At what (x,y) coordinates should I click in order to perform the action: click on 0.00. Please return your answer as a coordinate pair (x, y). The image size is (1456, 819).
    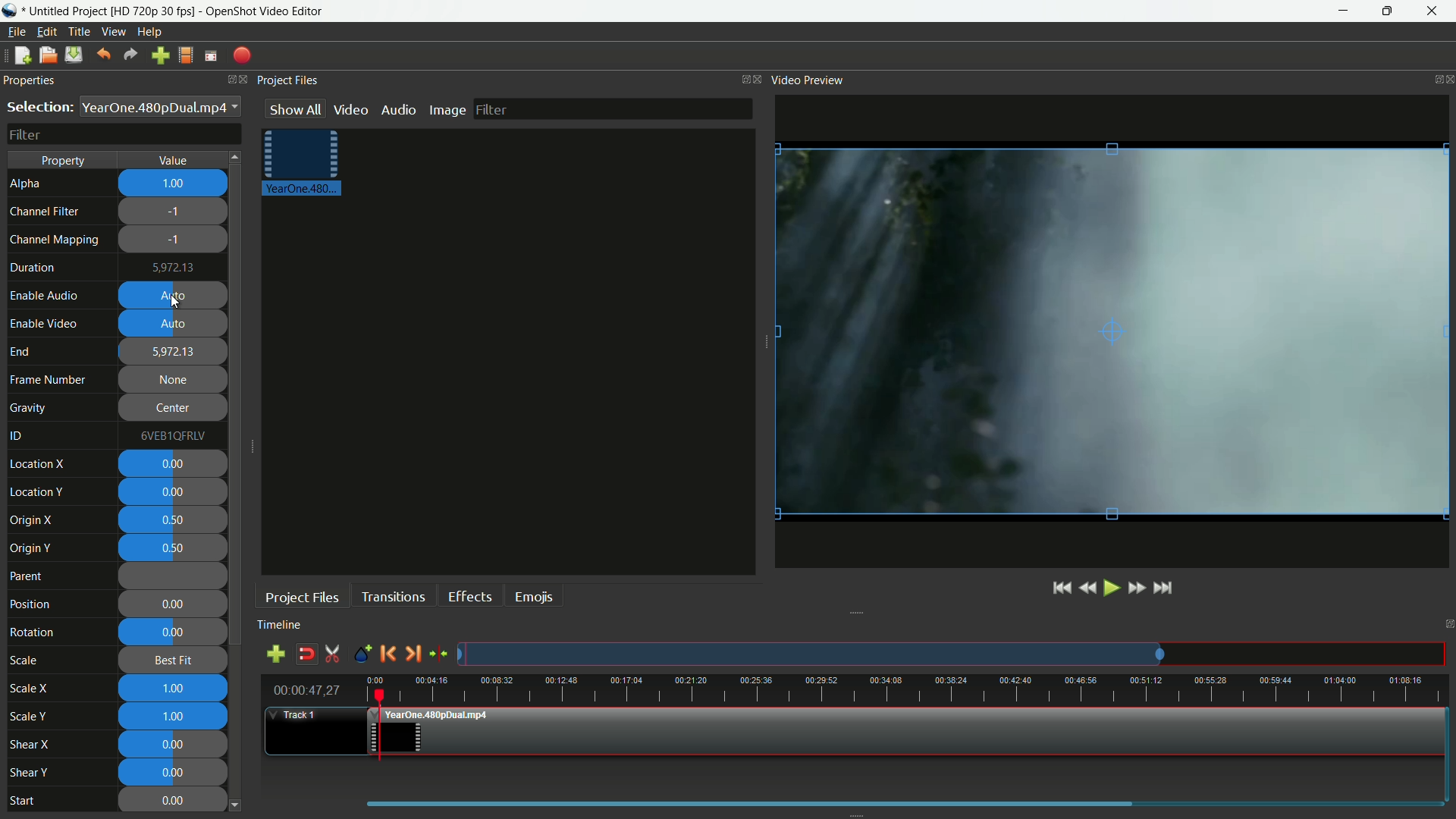
    Looking at the image, I should click on (177, 744).